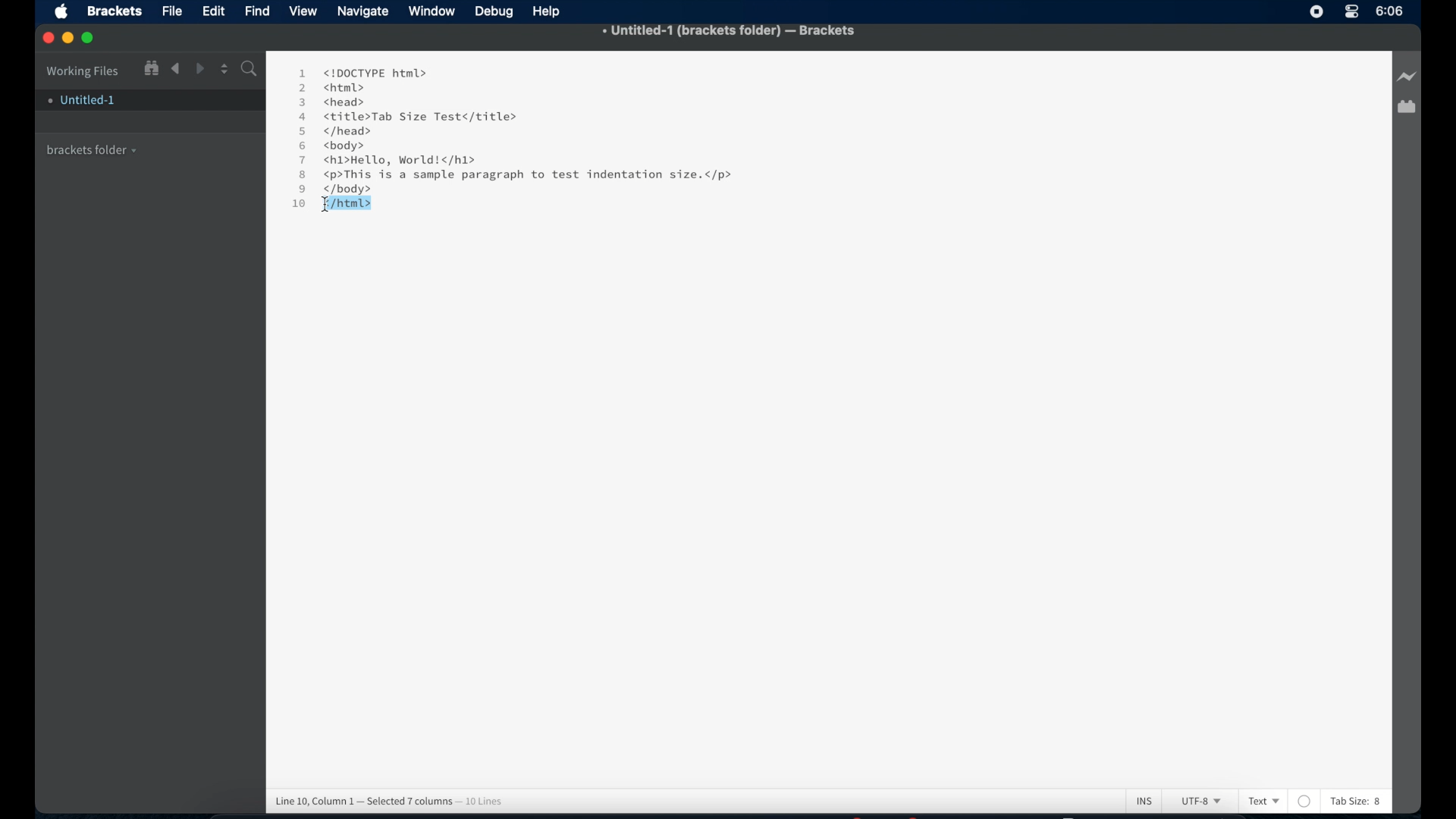 This screenshot has width=1456, height=819. What do you see at coordinates (334, 132) in the screenshot?
I see `5 </head>` at bounding box center [334, 132].